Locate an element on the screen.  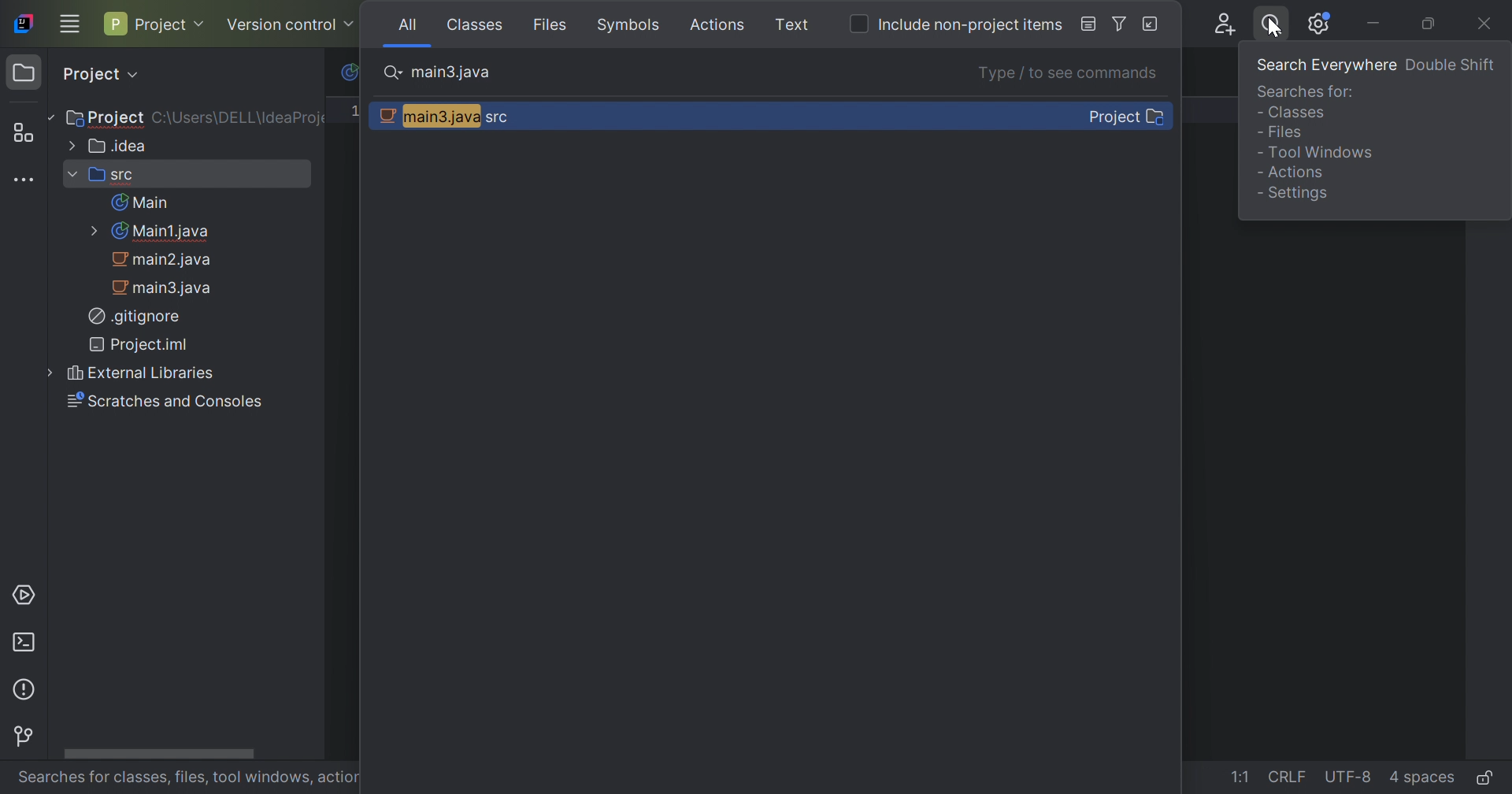
.idea is located at coordinates (107, 145).